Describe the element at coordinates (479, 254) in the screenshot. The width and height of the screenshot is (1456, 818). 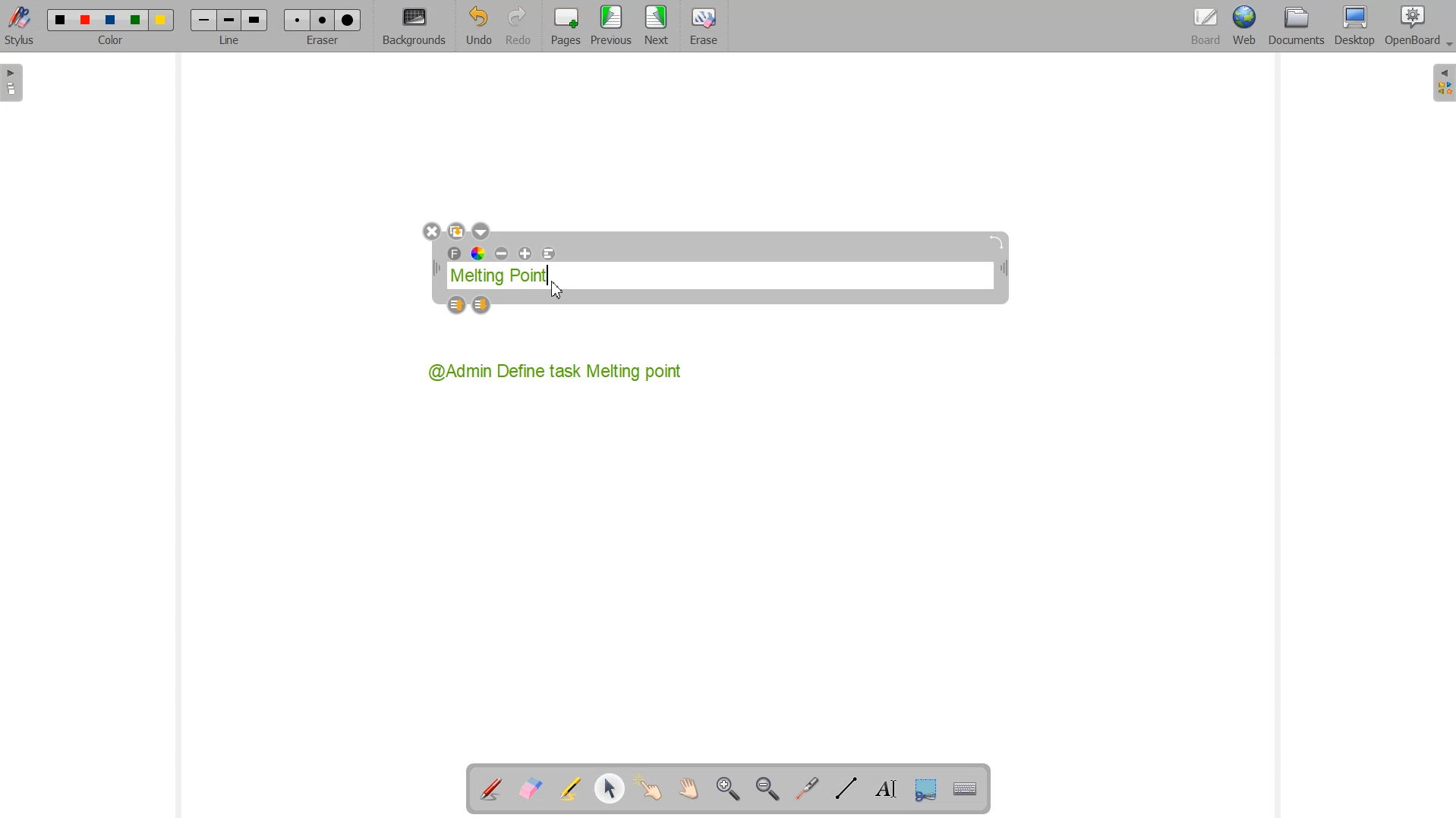
I see `Text Color` at that location.